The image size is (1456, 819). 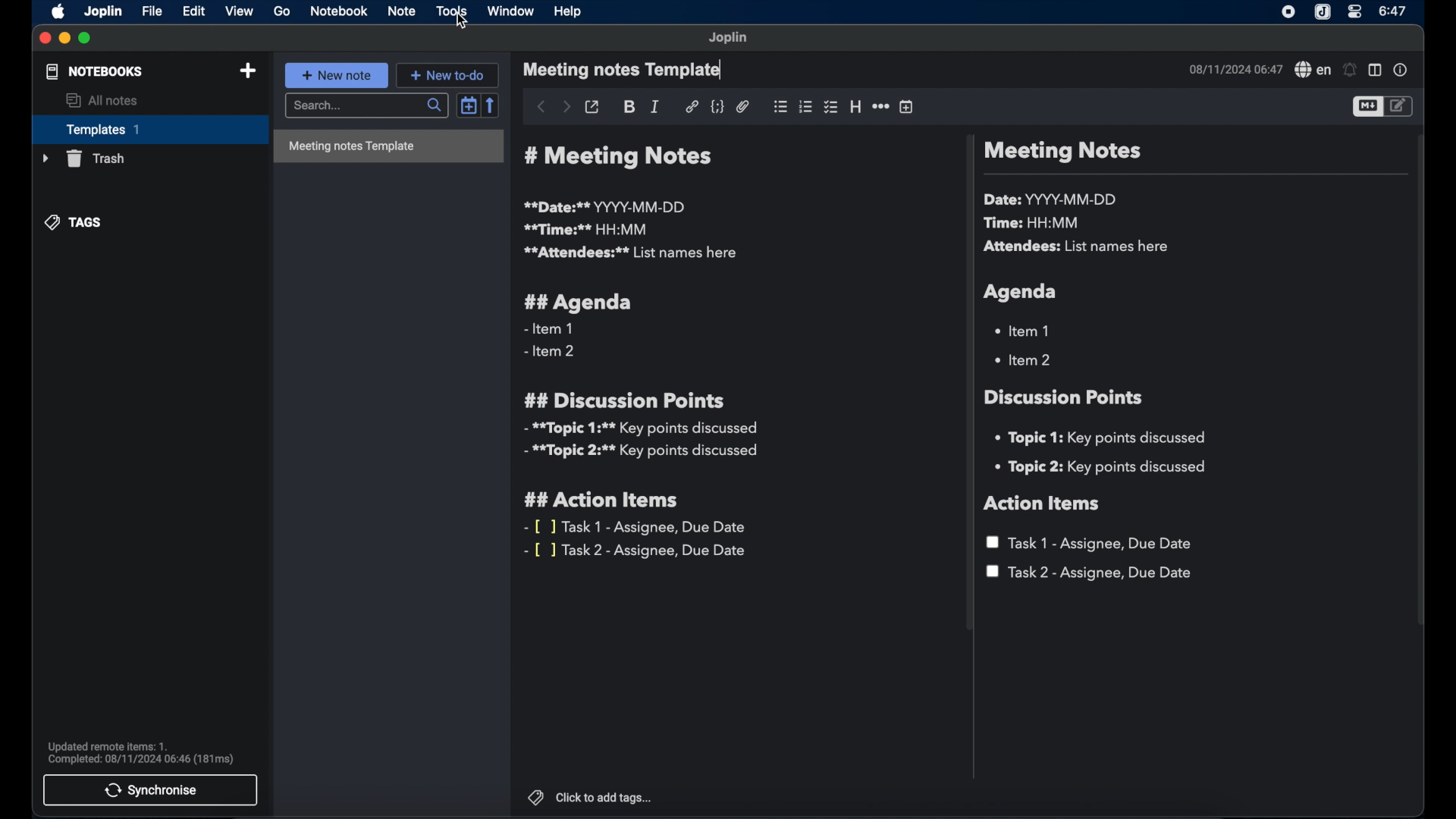 I want to click on tags, so click(x=75, y=222).